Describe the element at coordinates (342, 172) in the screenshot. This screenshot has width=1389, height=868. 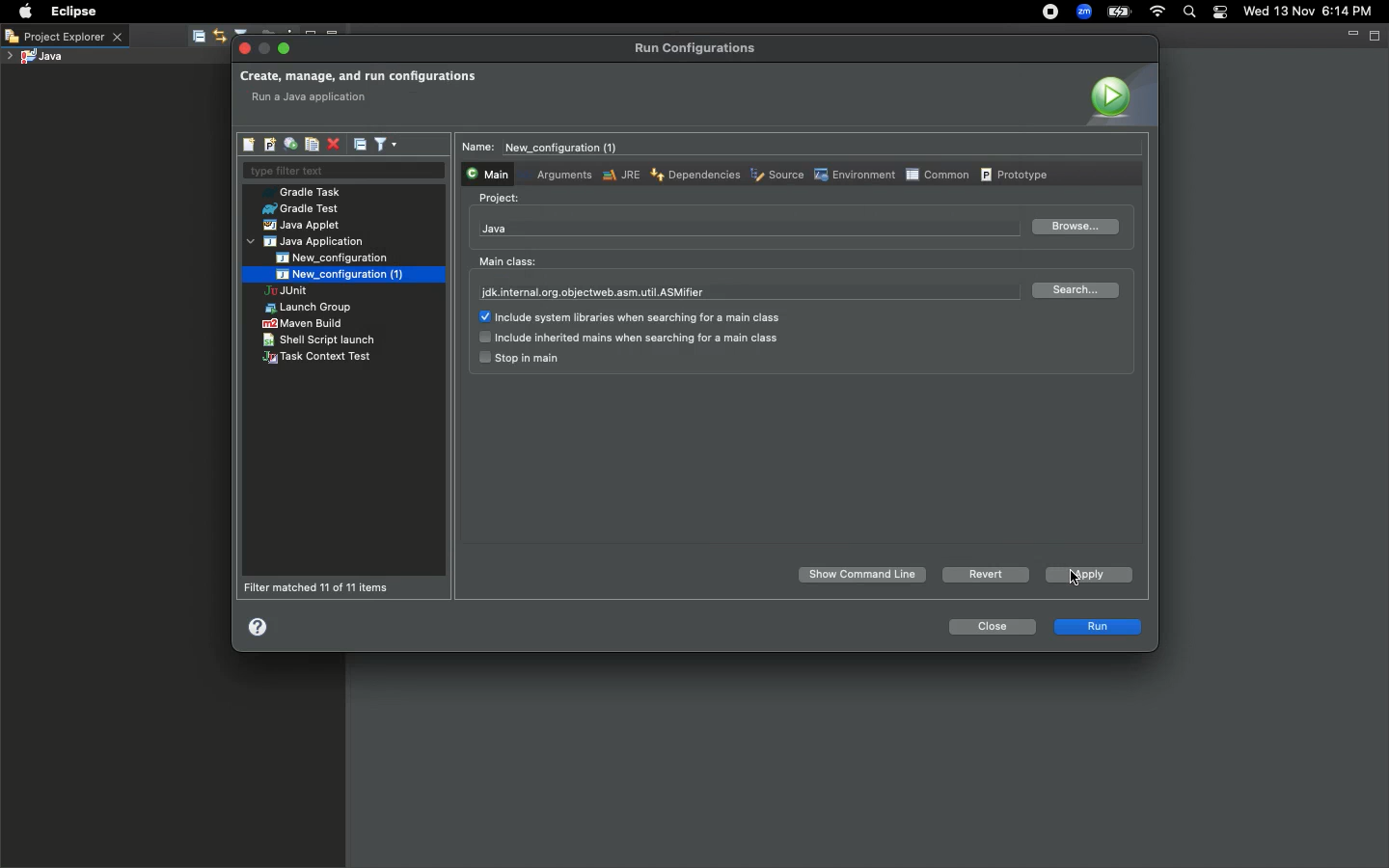
I see `Type filter text` at that location.